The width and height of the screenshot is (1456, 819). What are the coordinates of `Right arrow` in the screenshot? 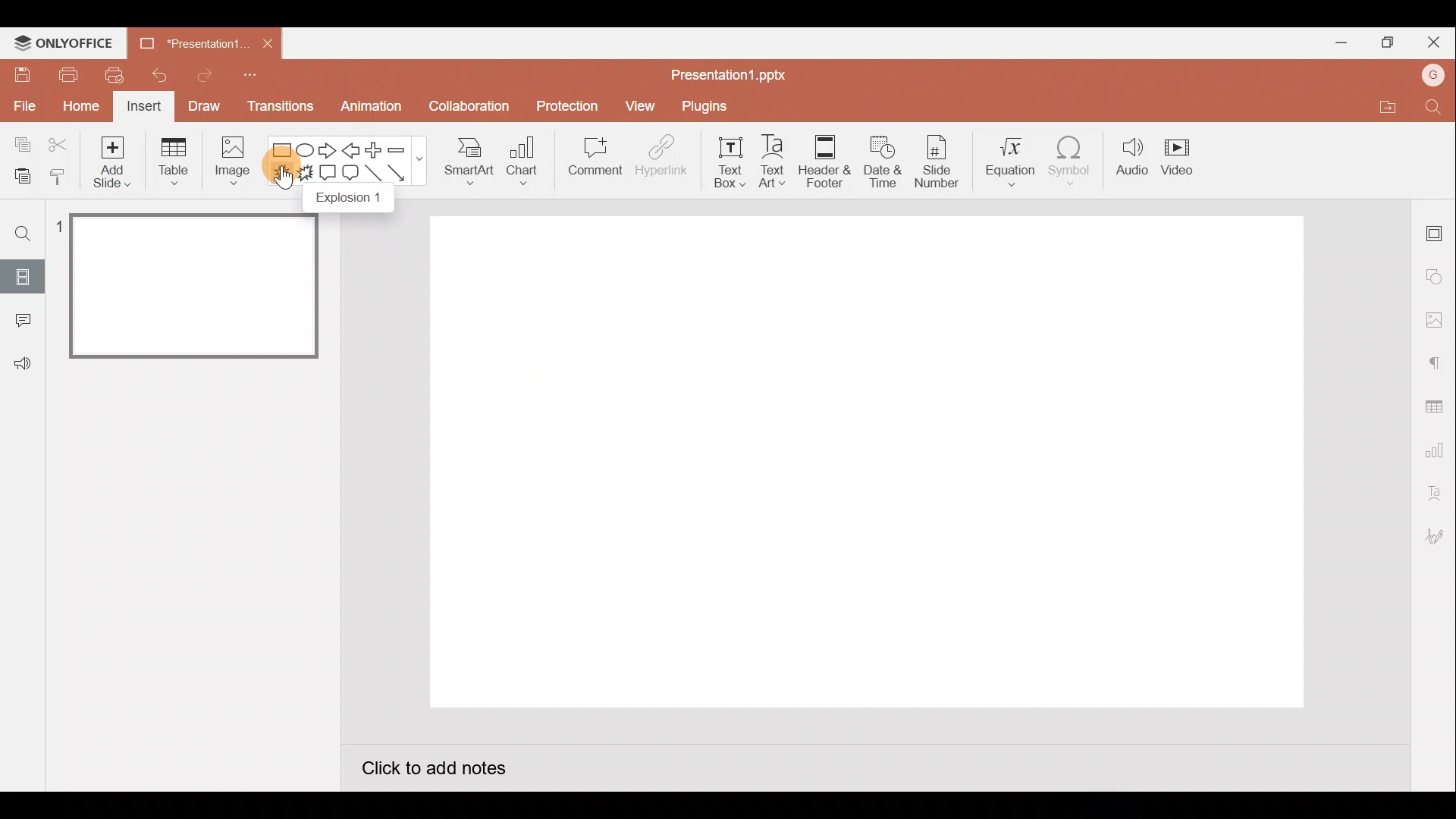 It's located at (326, 152).